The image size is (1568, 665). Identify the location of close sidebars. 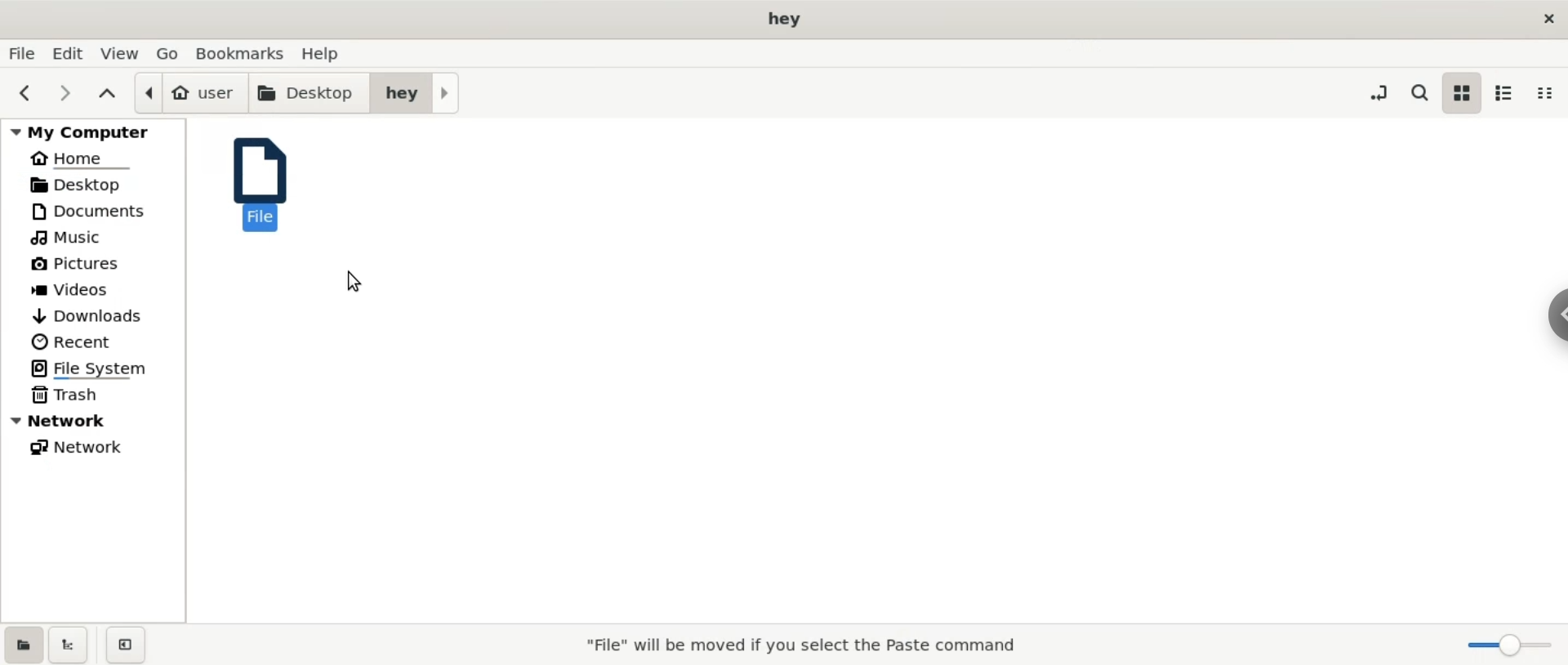
(125, 645).